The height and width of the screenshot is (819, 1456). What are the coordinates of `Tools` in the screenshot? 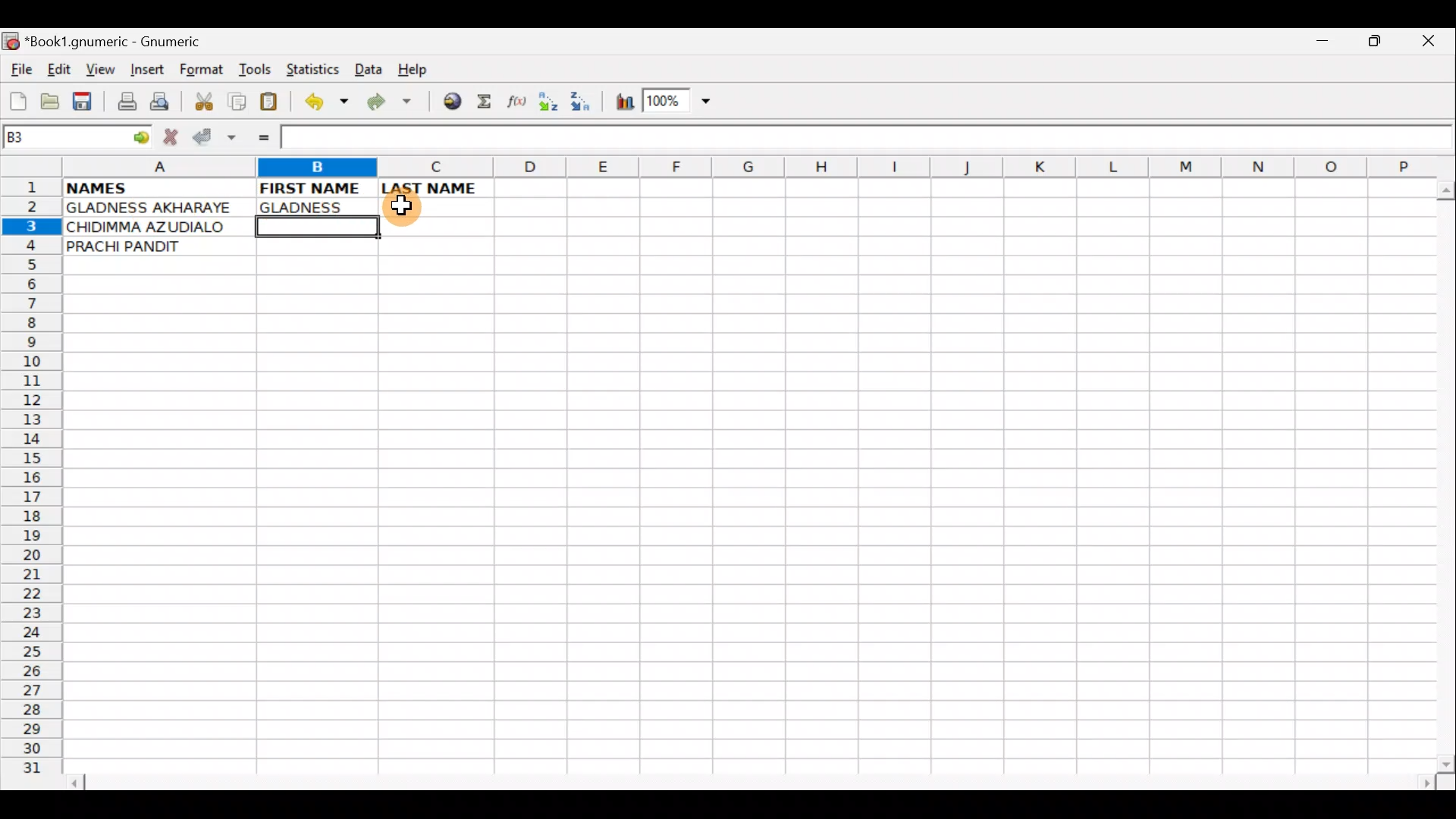 It's located at (256, 70).